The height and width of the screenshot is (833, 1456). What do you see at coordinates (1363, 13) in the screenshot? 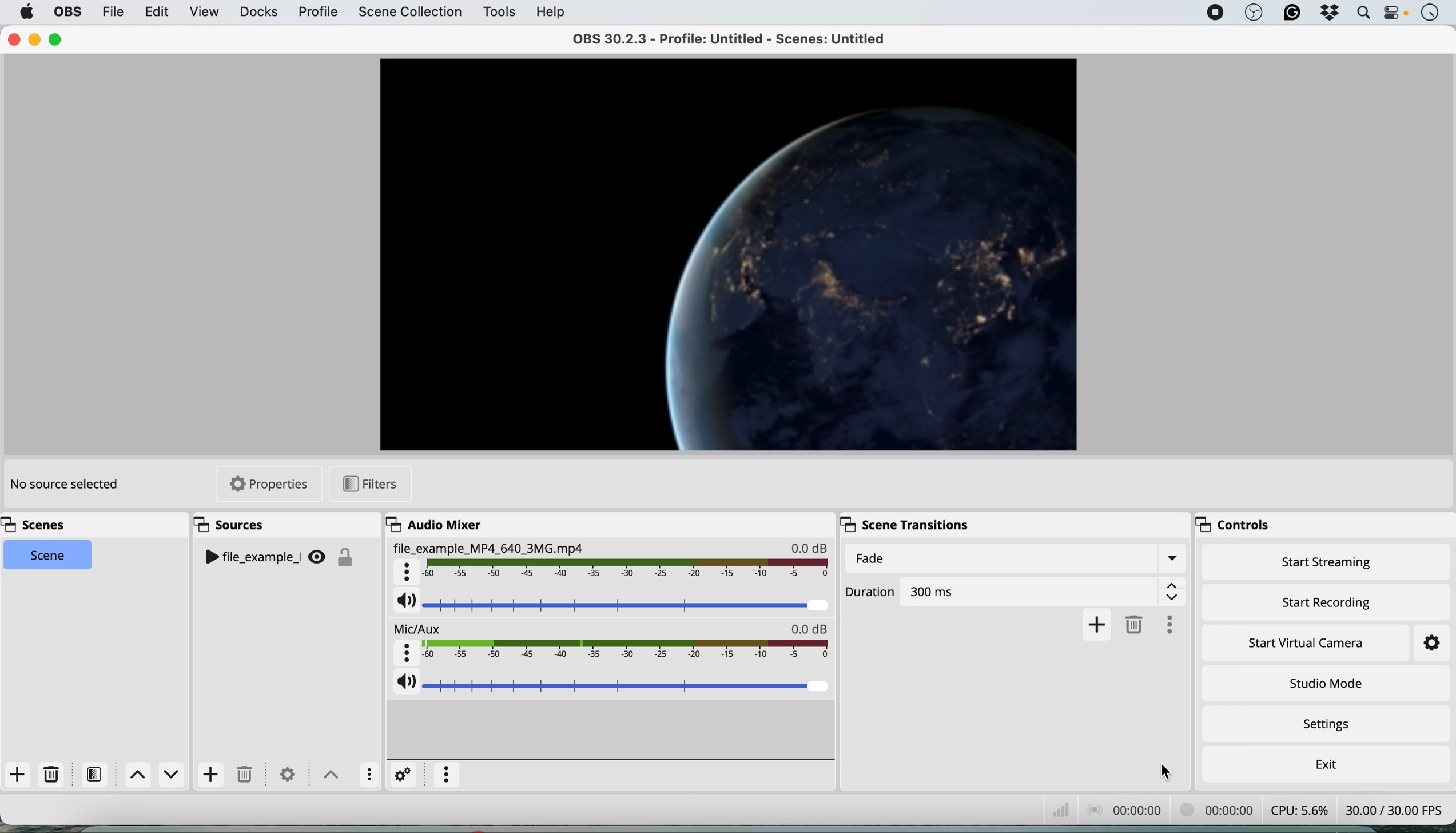
I see `spotlight search` at bounding box center [1363, 13].